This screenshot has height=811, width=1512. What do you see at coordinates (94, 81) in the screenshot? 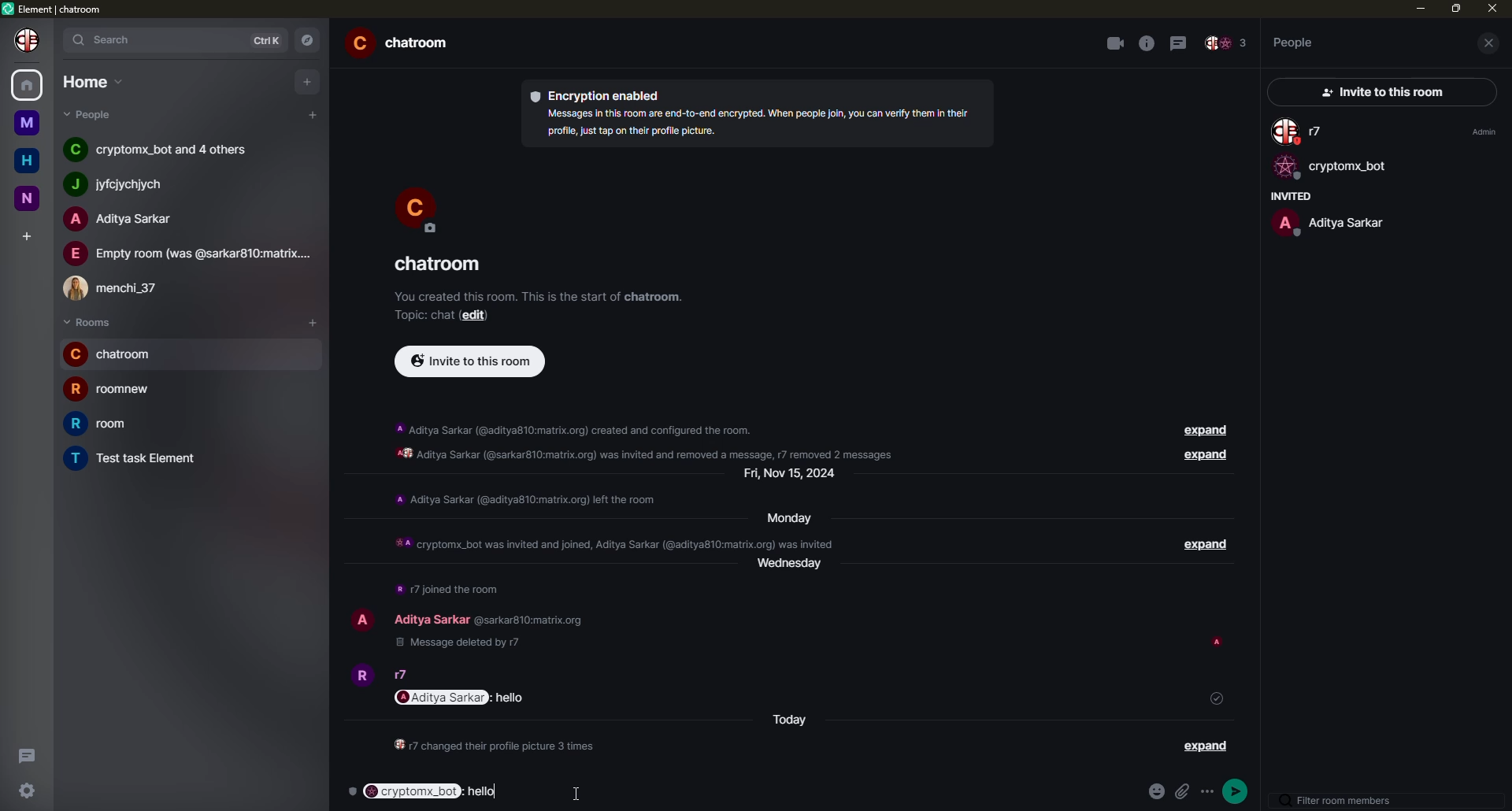
I see `home` at bounding box center [94, 81].